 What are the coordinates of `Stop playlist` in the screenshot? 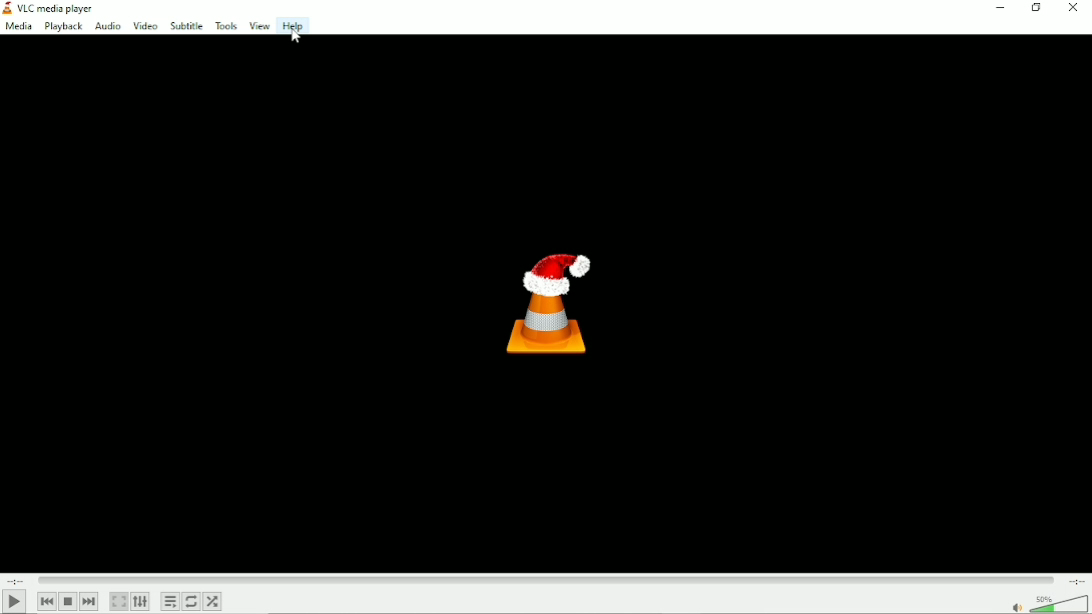 It's located at (67, 600).